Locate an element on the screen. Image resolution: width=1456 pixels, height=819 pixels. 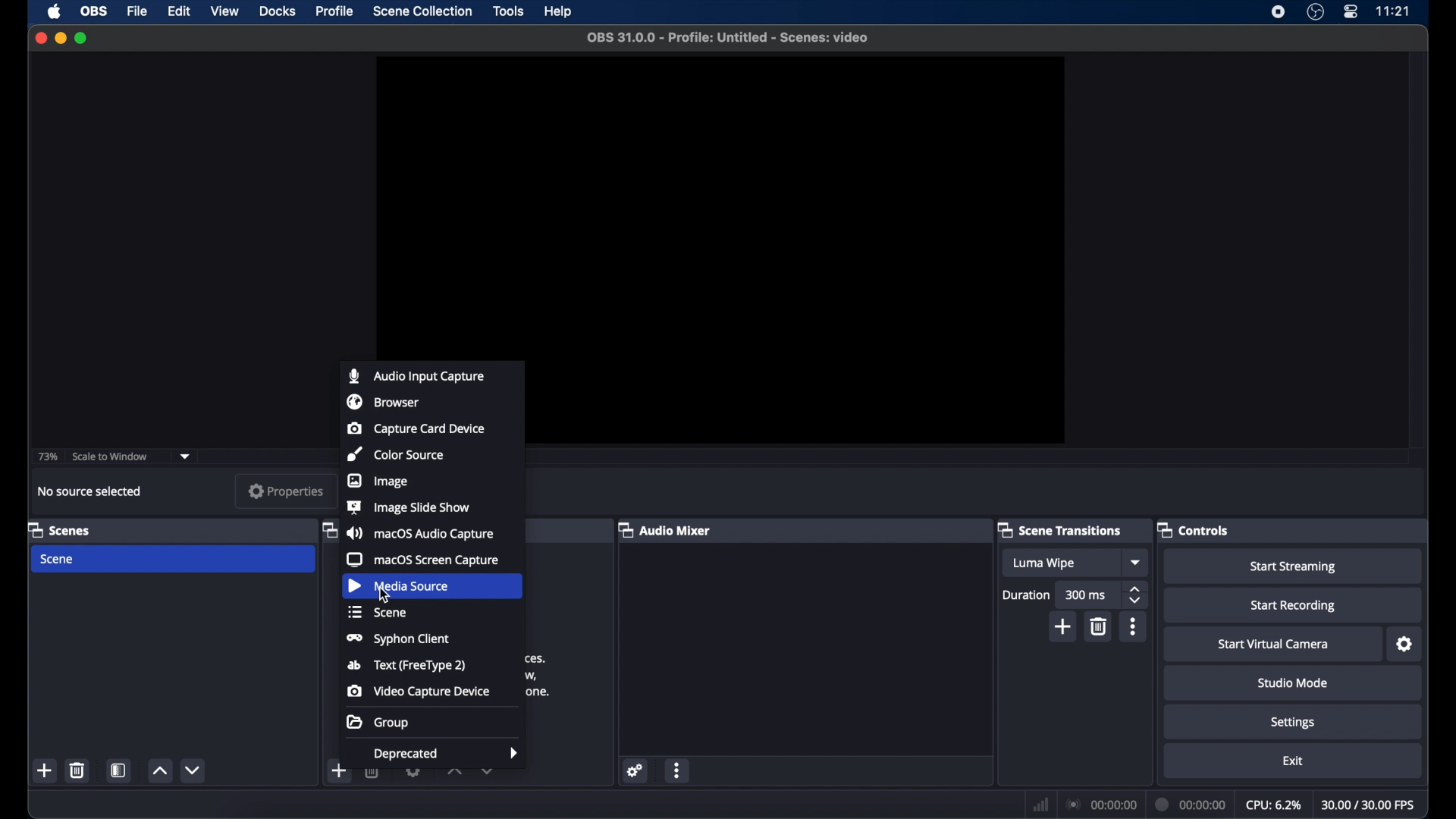
image slide show is located at coordinates (408, 507).